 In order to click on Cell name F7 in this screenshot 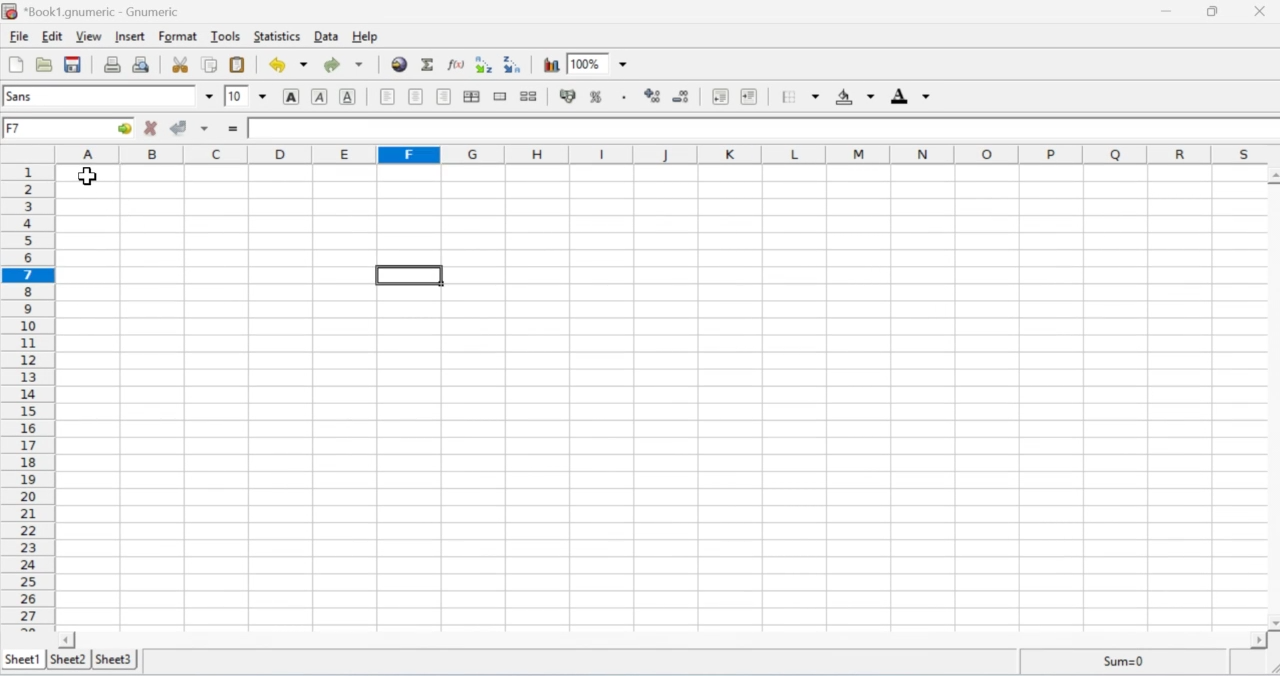, I will do `click(42, 130)`.